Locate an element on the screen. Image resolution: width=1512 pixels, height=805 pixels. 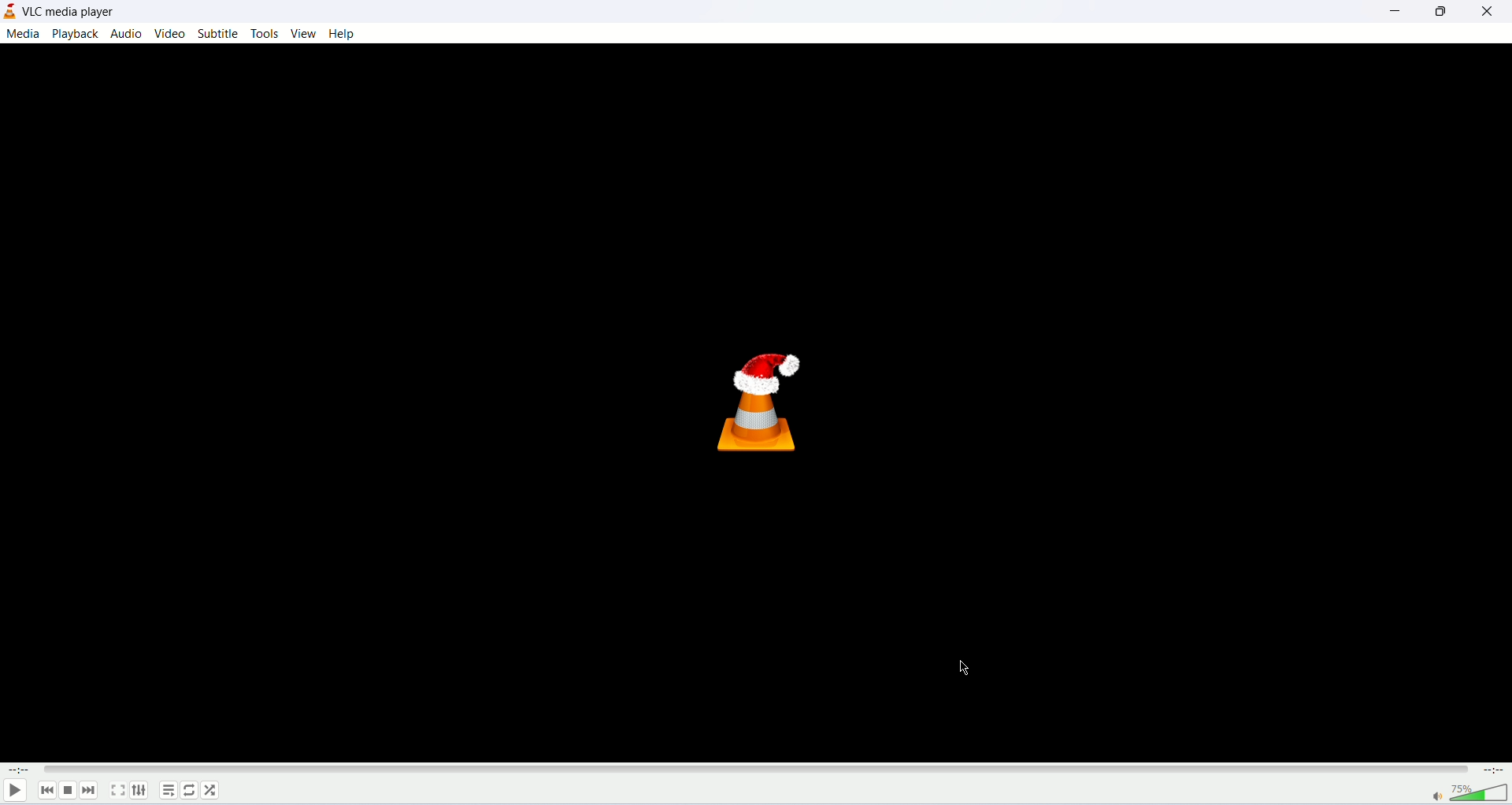
minimize is located at coordinates (1391, 14).